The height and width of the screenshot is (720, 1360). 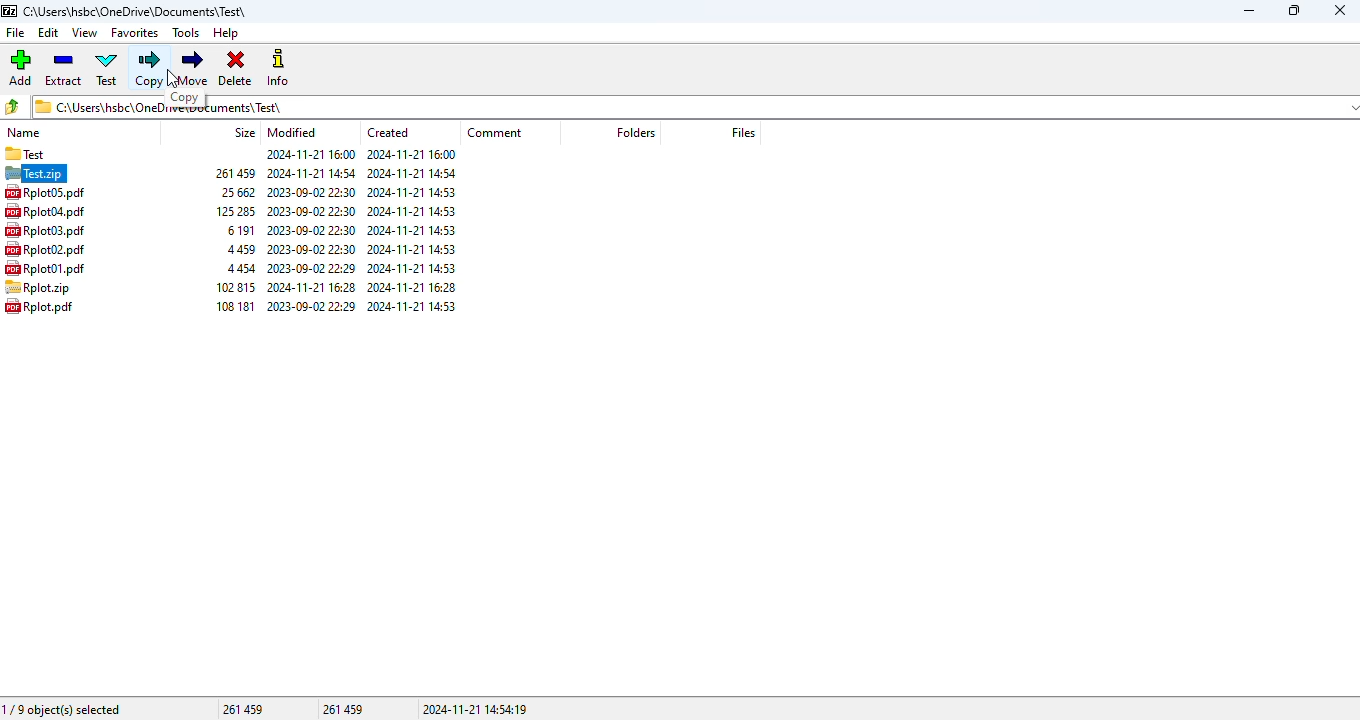 I want to click on files, so click(x=742, y=132).